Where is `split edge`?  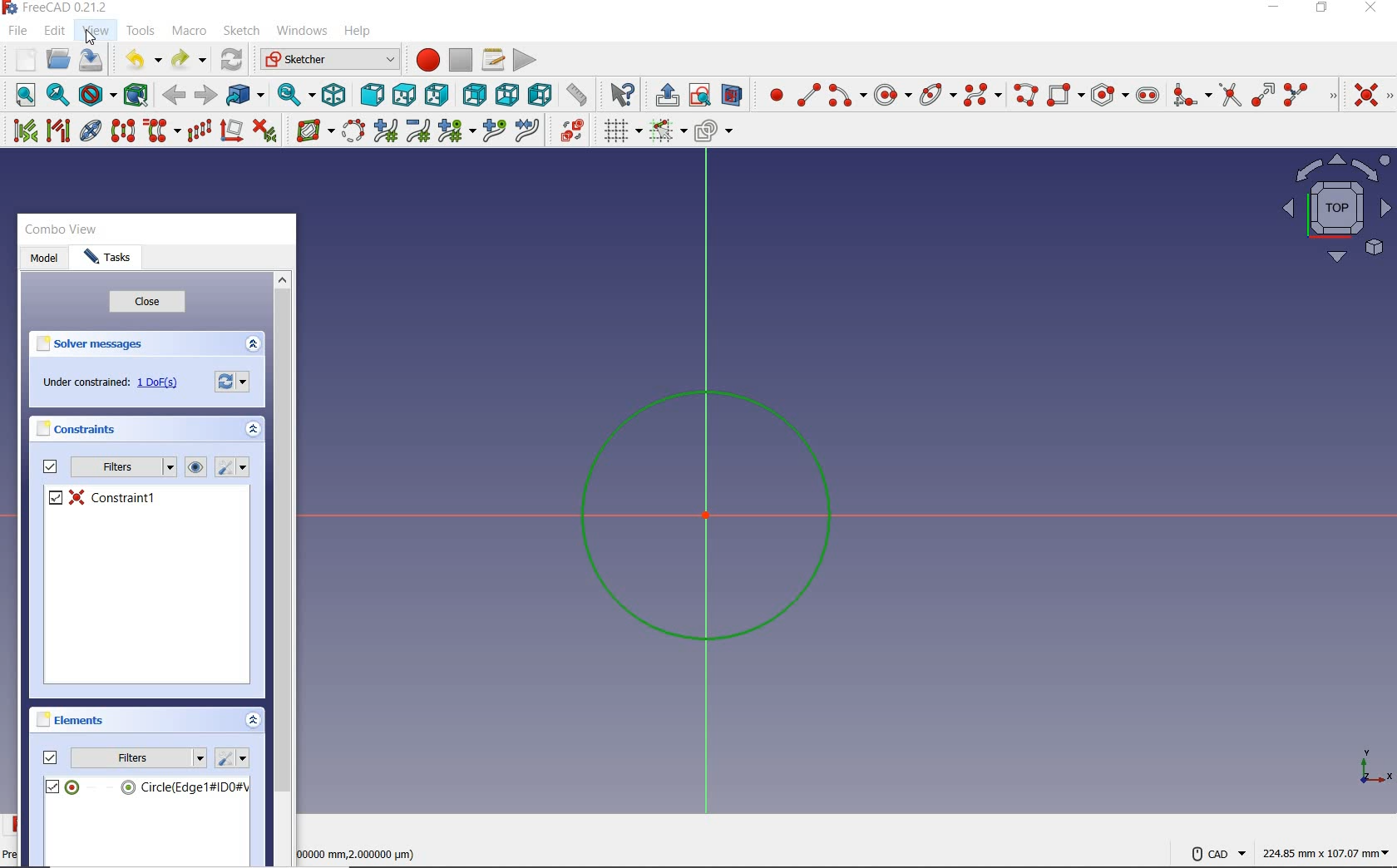 split edge is located at coordinates (1309, 95).